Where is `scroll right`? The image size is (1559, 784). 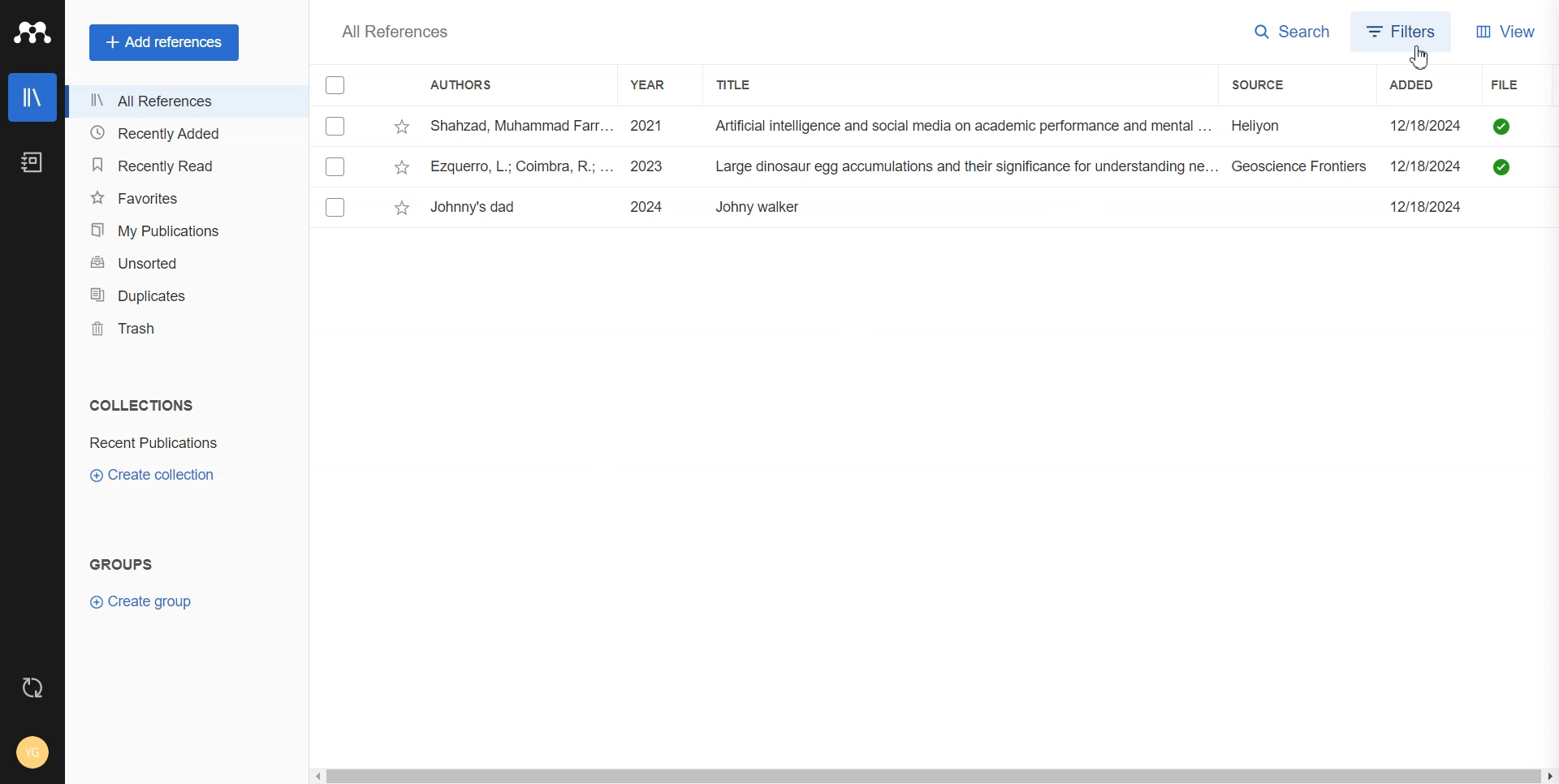
scroll right is located at coordinates (1549, 778).